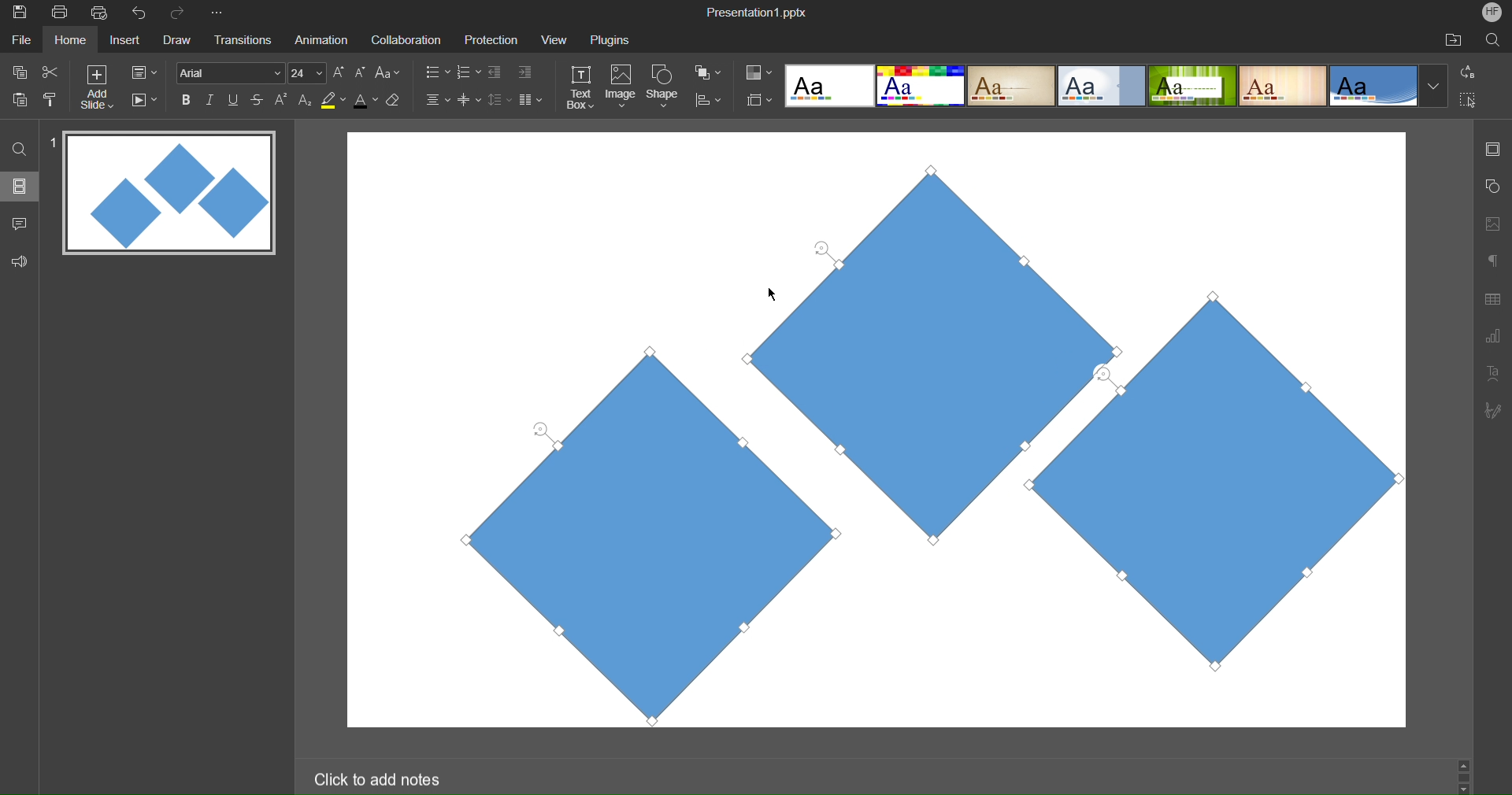 The width and height of the screenshot is (1512, 795). What do you see at coordinates (20, 98) in the screenshot?
I see `Paste` at bounding box center [20, 98].